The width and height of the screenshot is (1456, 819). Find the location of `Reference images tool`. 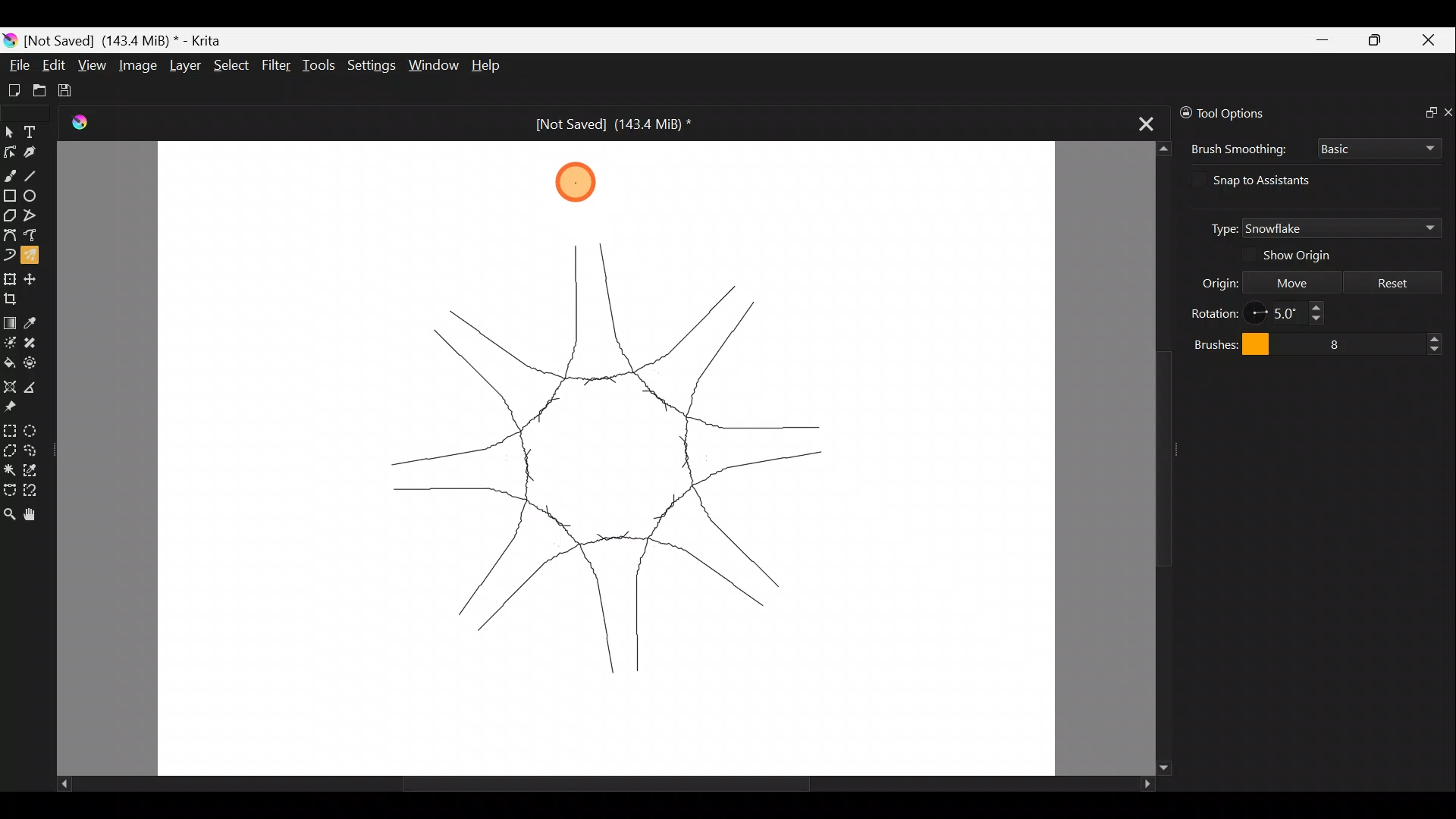

Reference images tool is located at coordinates (21, 406).